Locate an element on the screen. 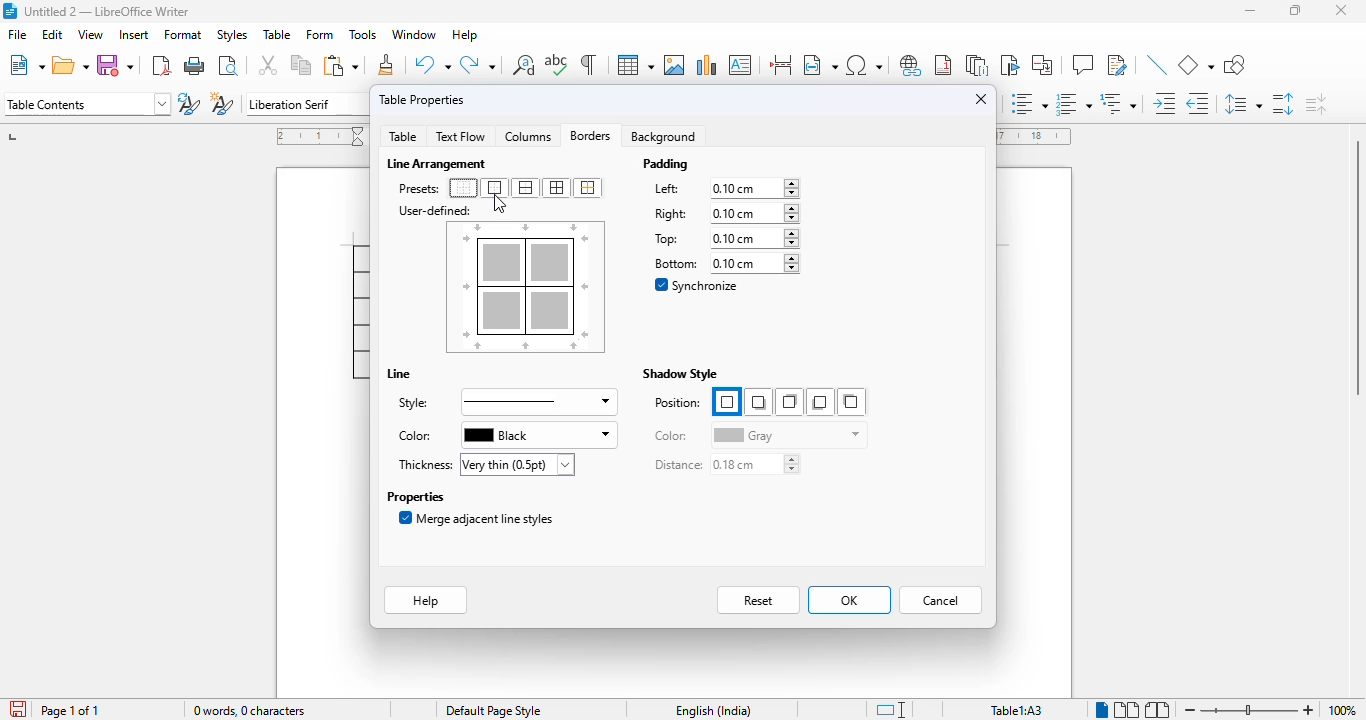 Image resolution: width=1366 pixels, height=720 pixels. outer border and horizontal lines is located at coordinates (525, 188).